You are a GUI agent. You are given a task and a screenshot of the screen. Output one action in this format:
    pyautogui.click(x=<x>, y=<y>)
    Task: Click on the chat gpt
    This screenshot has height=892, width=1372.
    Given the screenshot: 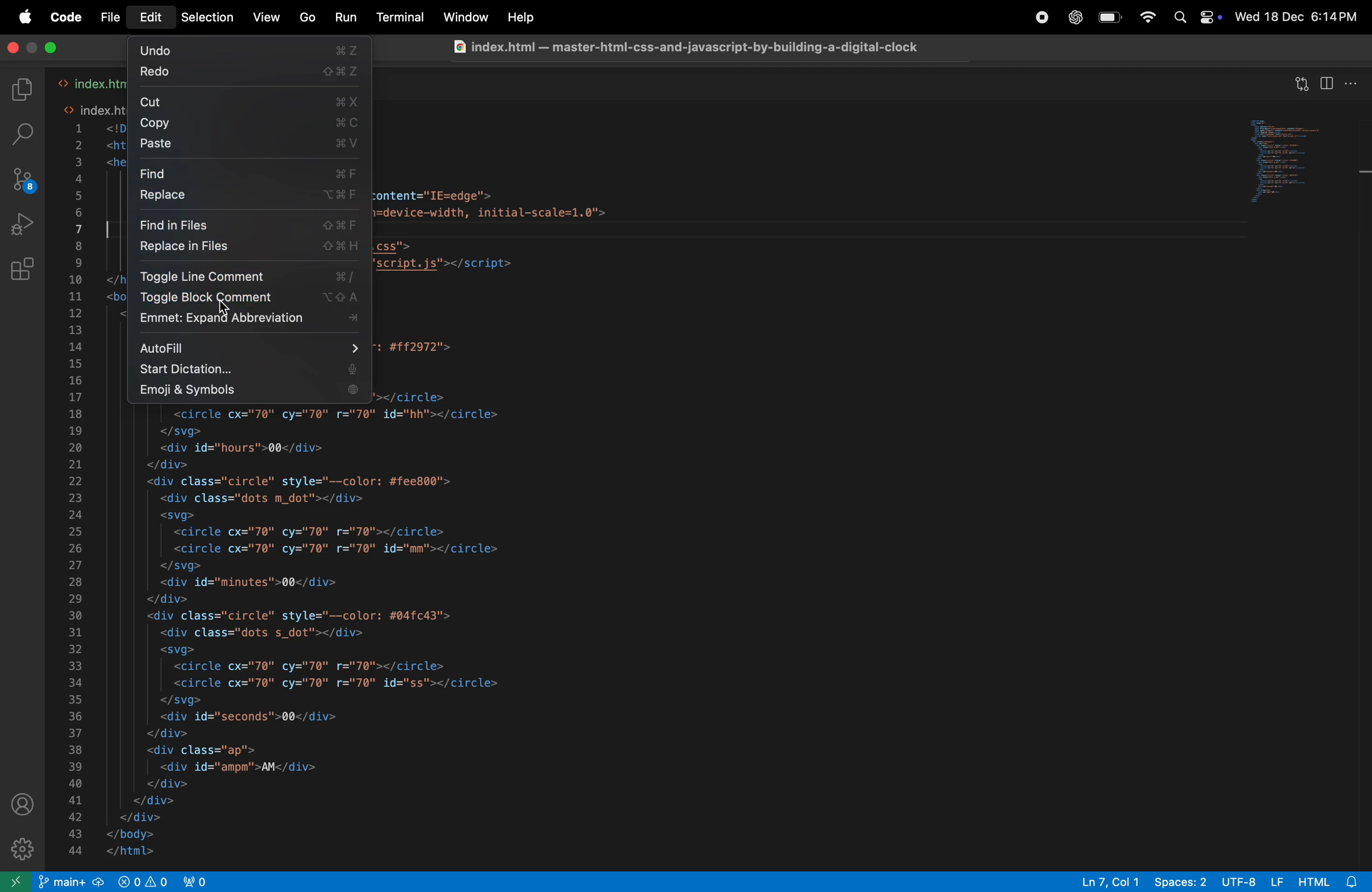 What is the action you would take?
    pyautogui.click(x=1073, y=16)
    